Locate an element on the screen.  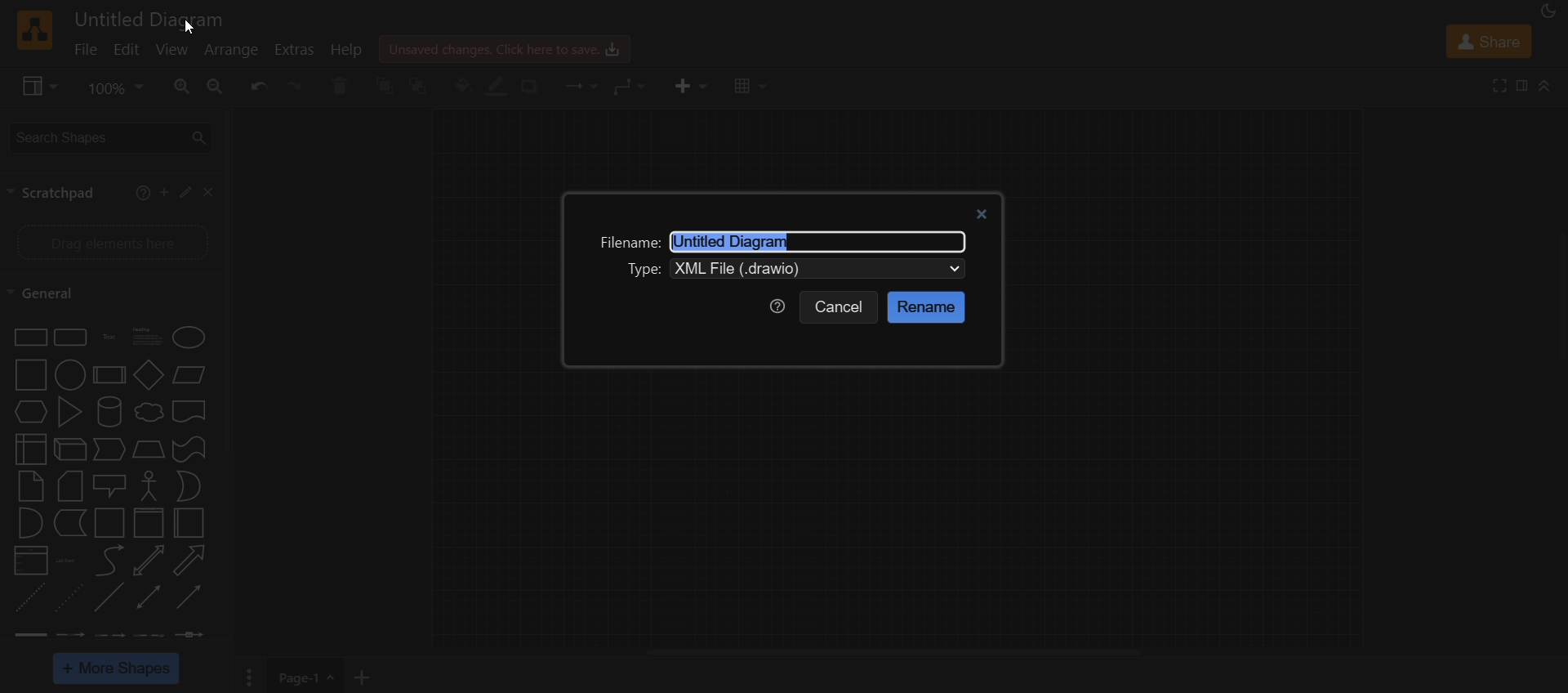
xml file is located at coordinates (822, 270).